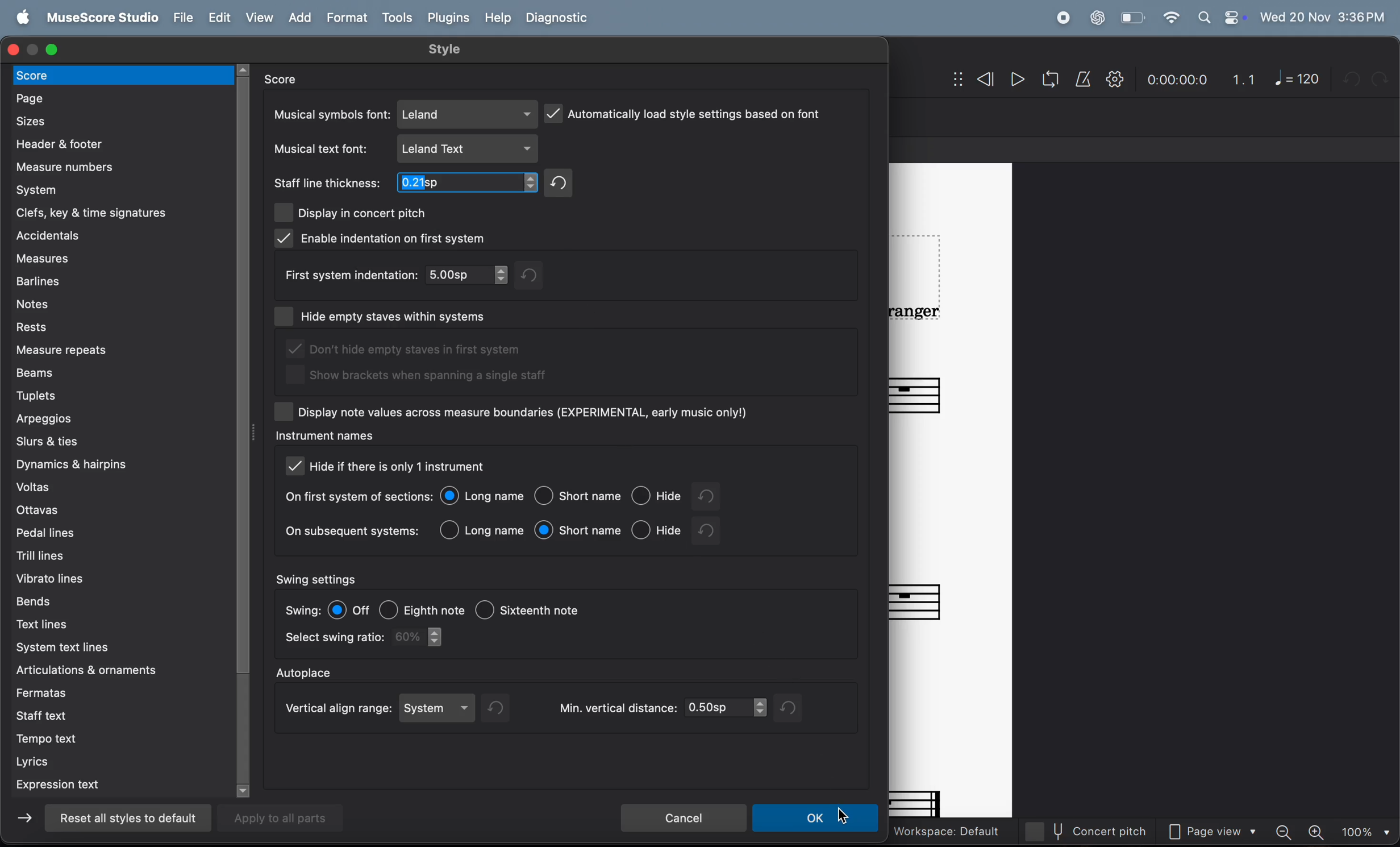 This screenshot has width=1400, height=847. What do you see at coordinates (121, 327) in the screenshot?
I see `rests` at bounding box center [121, 327].